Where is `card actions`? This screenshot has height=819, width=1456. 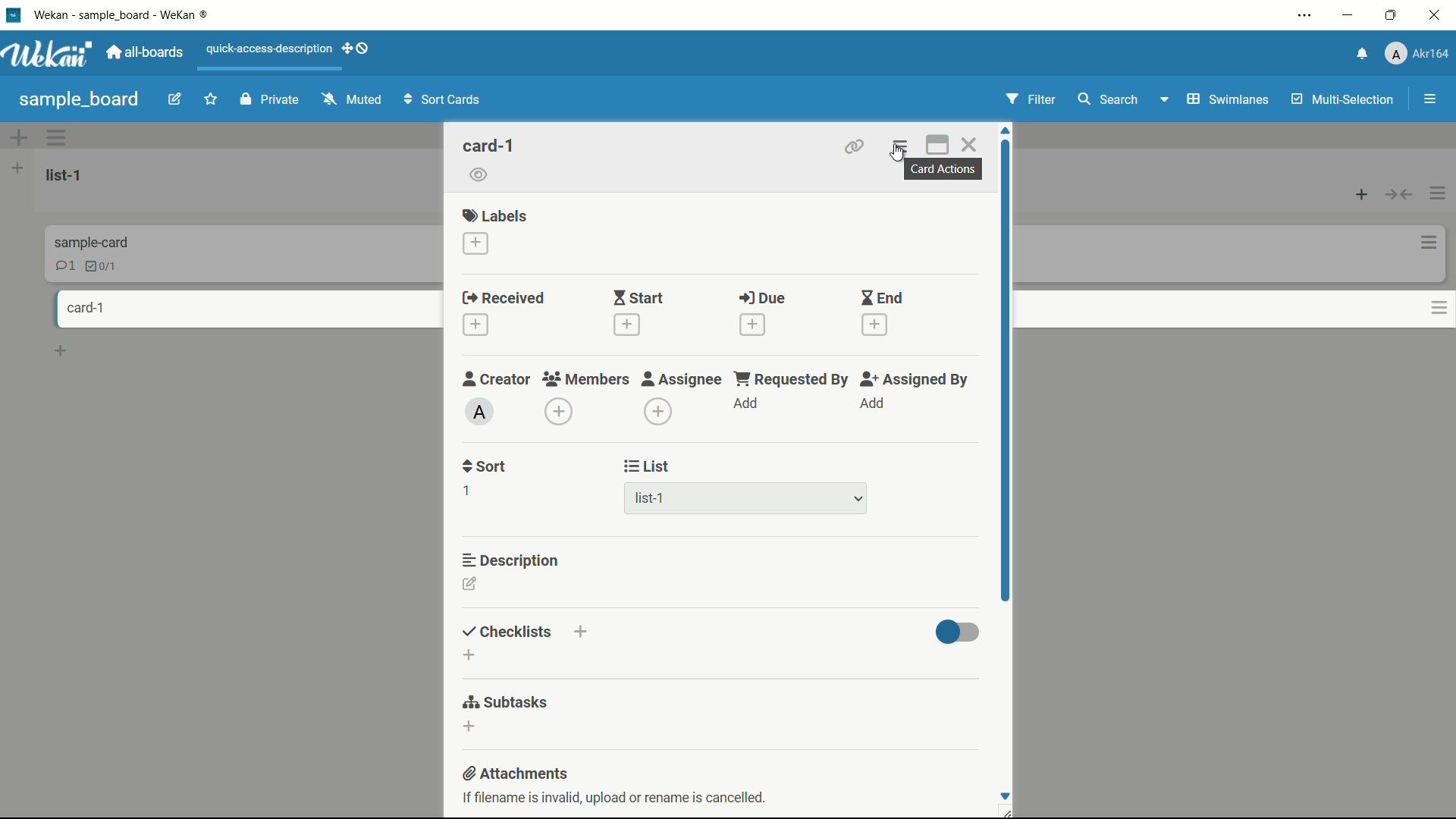 card actions is located at coordinates (1423, 306).